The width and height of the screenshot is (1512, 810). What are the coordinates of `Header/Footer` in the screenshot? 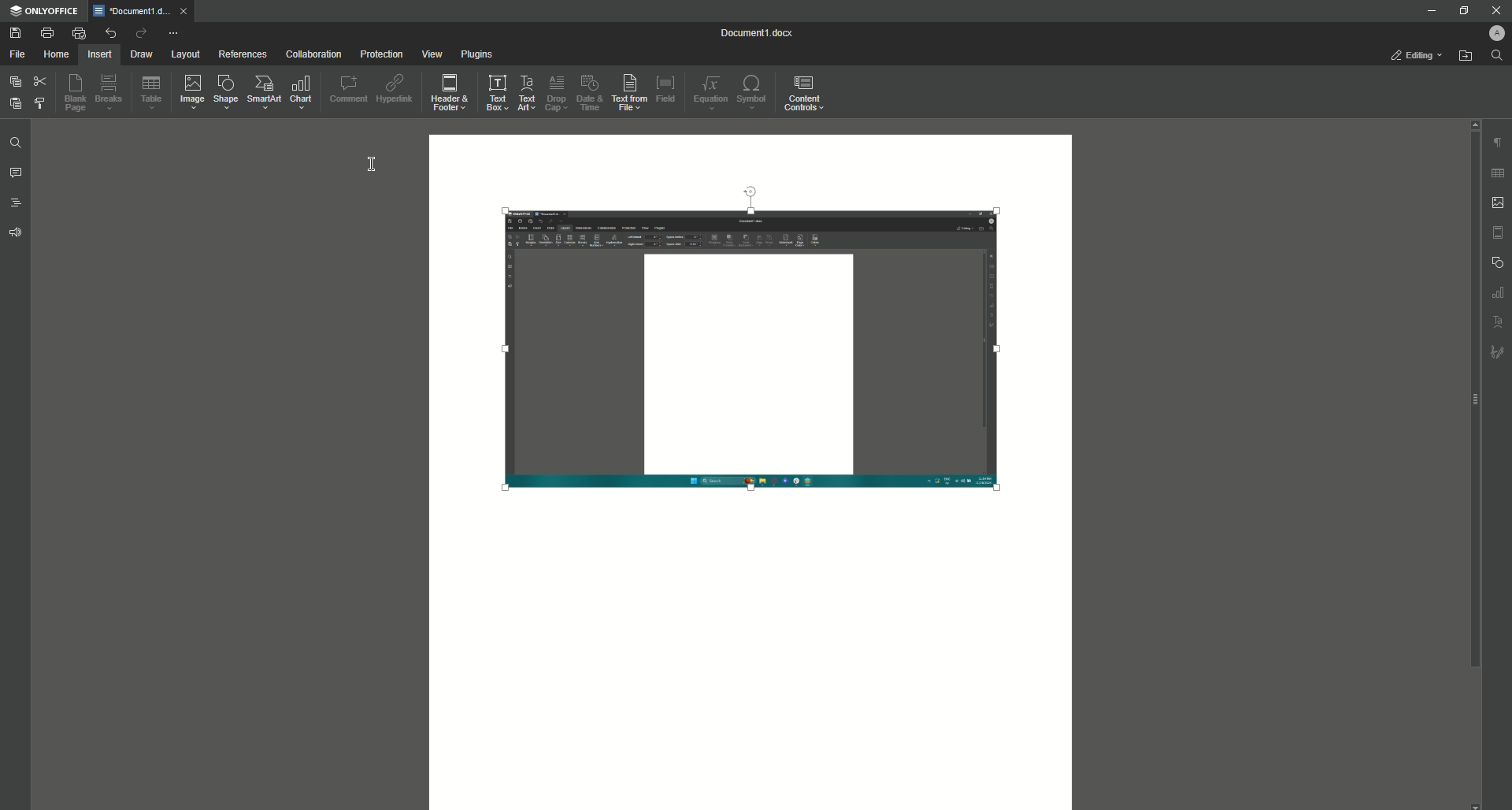 It's located at (1499, 232).